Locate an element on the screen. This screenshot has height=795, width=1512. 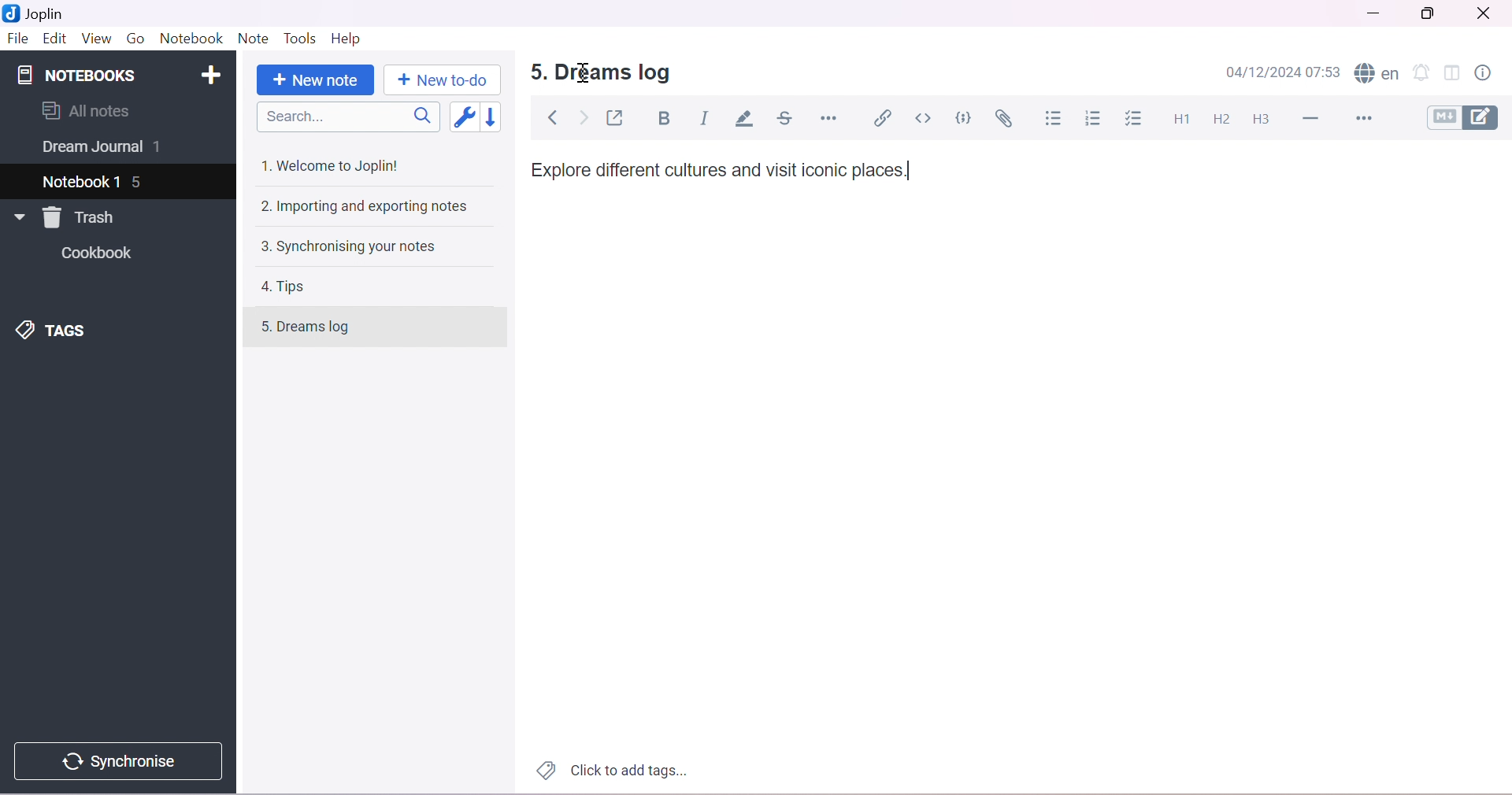
Strikethrough is located at coordinates (788, 119).